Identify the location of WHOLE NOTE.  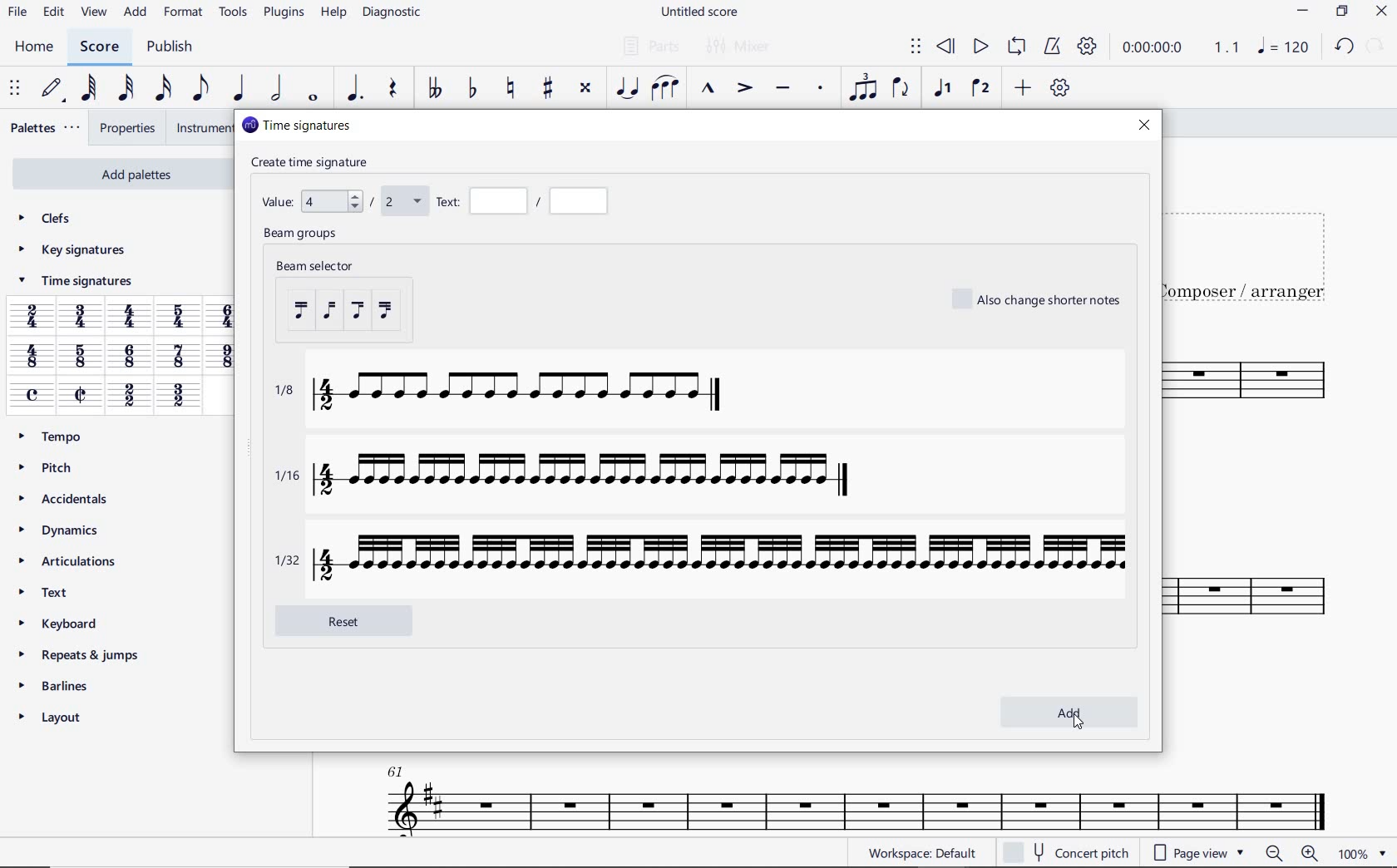
(313, 100).